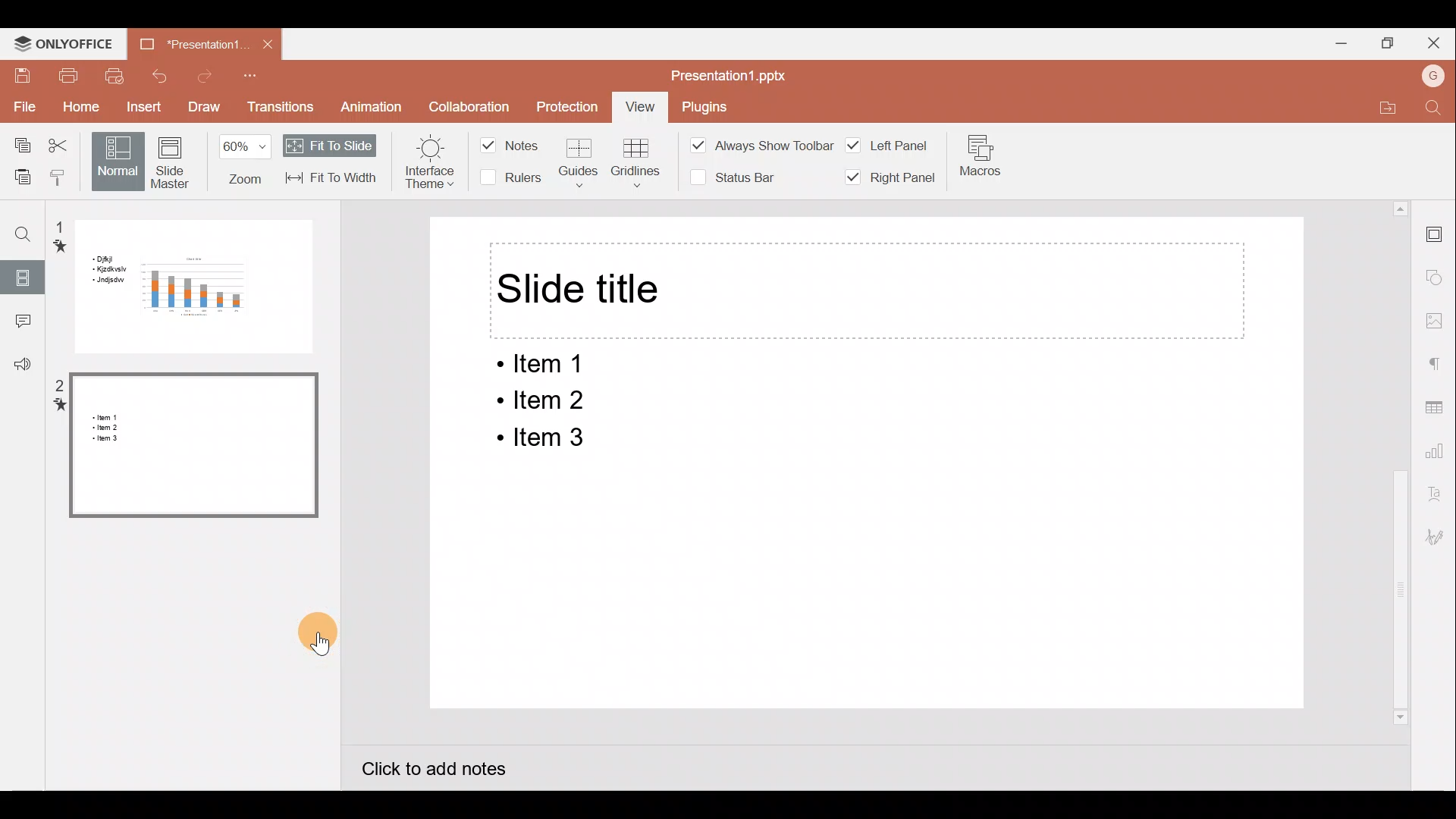  Describe the element at coordinates (444, 765) in the screenshot. I see `Click to add notes` at that location.